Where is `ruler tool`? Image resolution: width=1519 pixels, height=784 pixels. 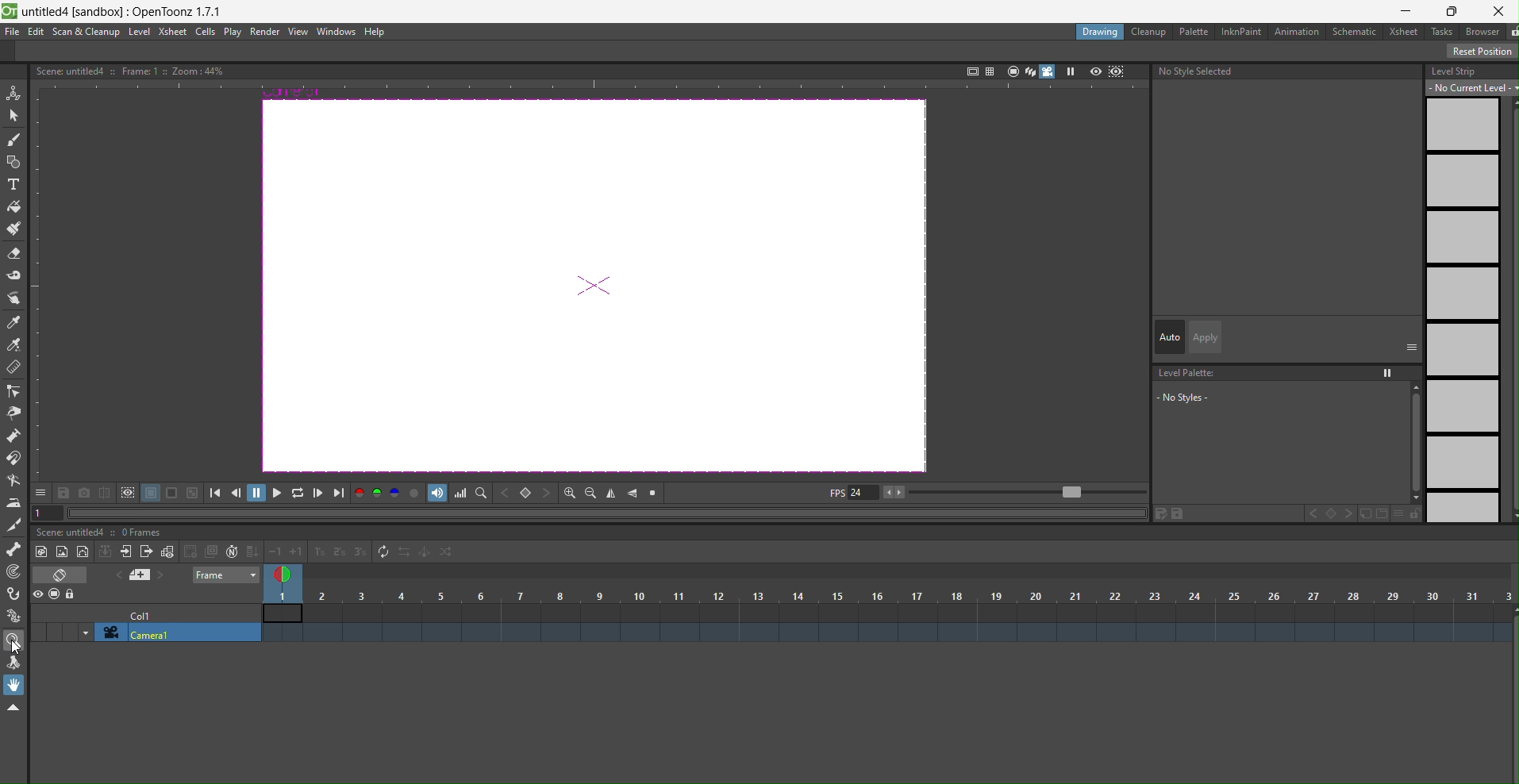
ruler tool is located at coordinates (14, 369).